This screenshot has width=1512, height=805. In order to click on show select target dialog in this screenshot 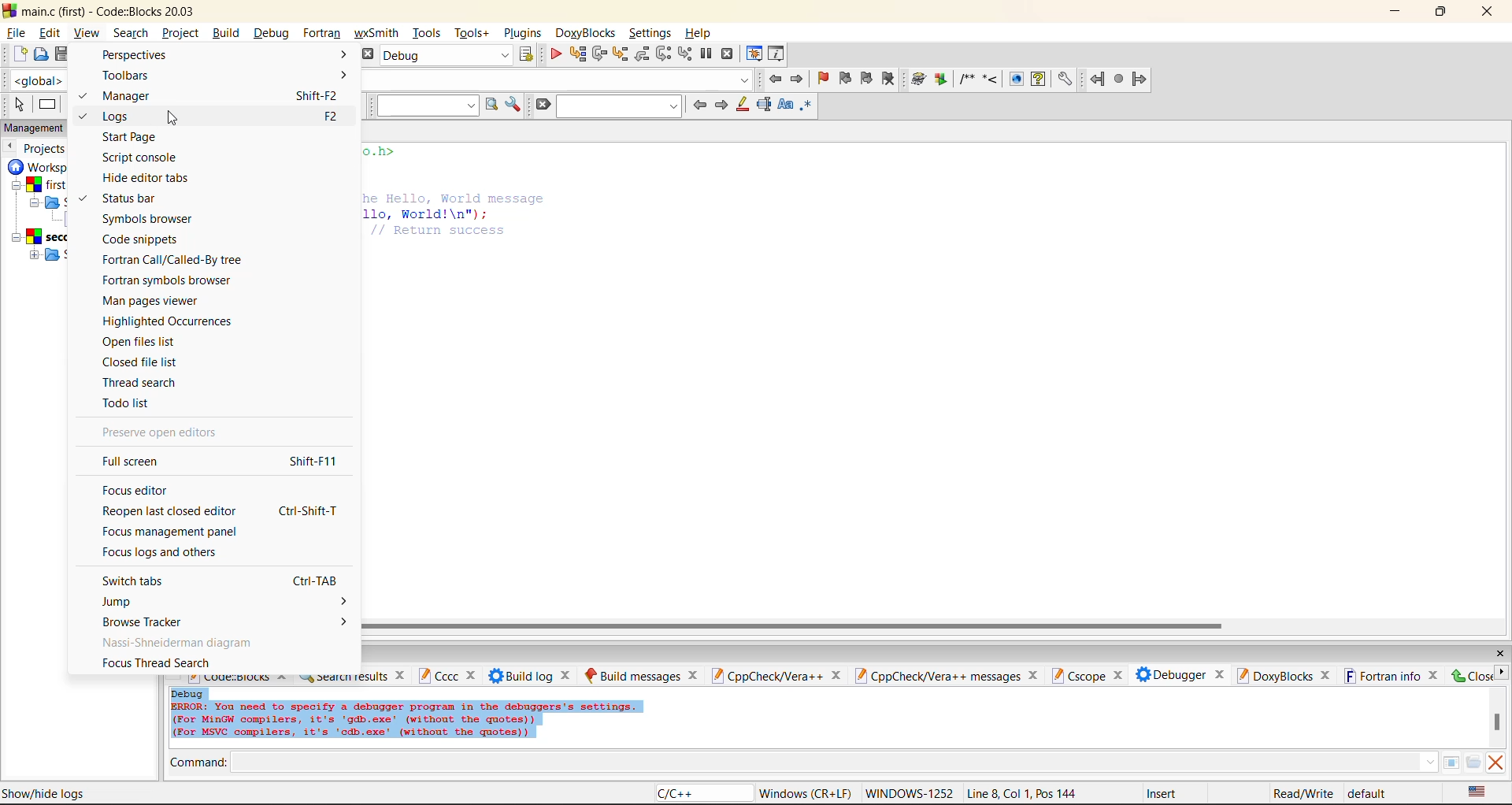, I will do `click(528, 57)`.